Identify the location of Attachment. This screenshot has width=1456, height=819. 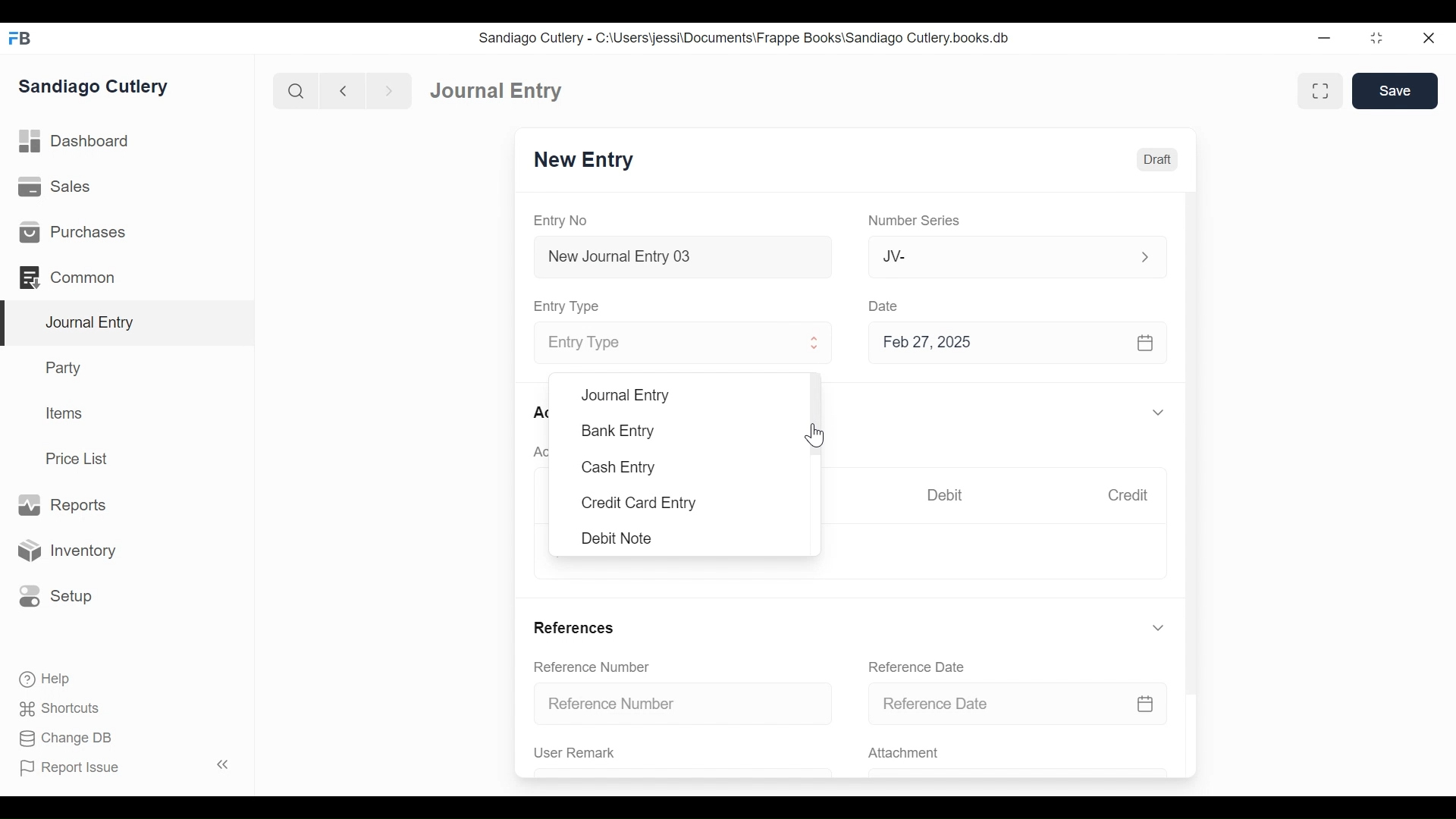
(903, 755).